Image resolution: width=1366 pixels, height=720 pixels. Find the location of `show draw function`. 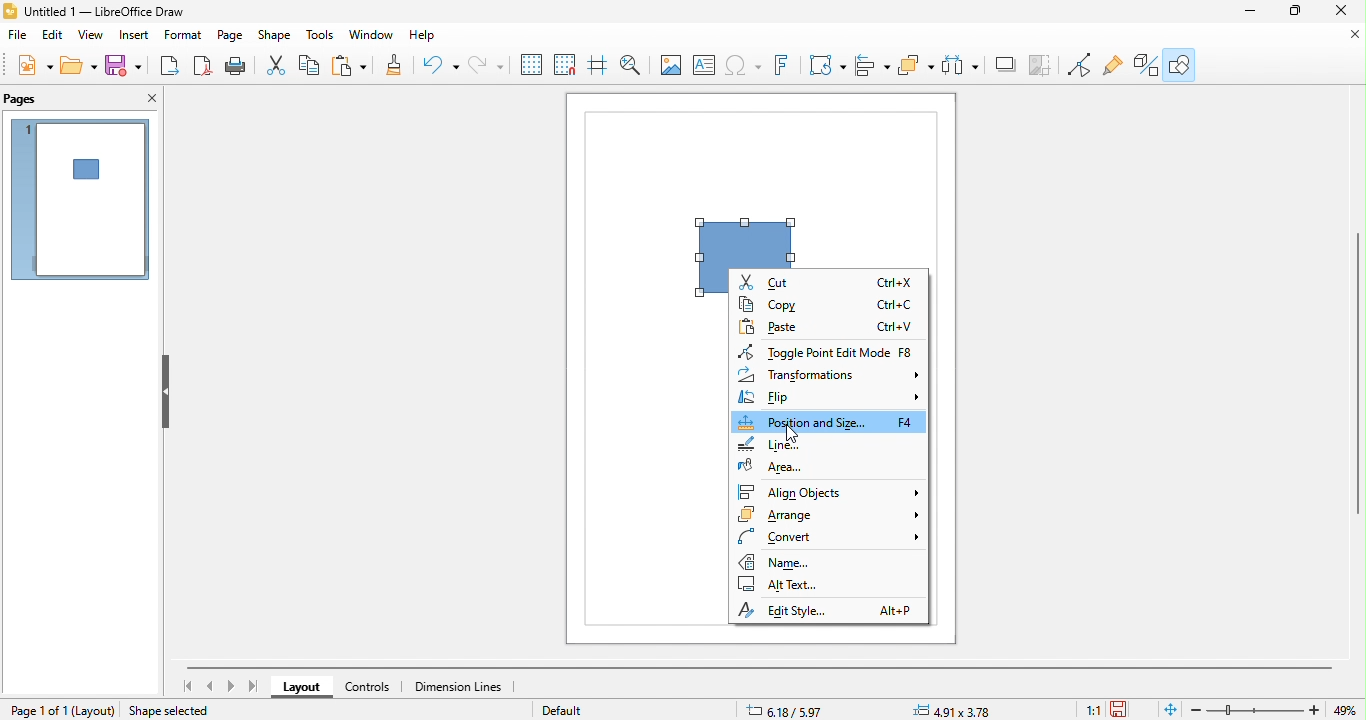

show draw function is located at coordinates (1179, 63).